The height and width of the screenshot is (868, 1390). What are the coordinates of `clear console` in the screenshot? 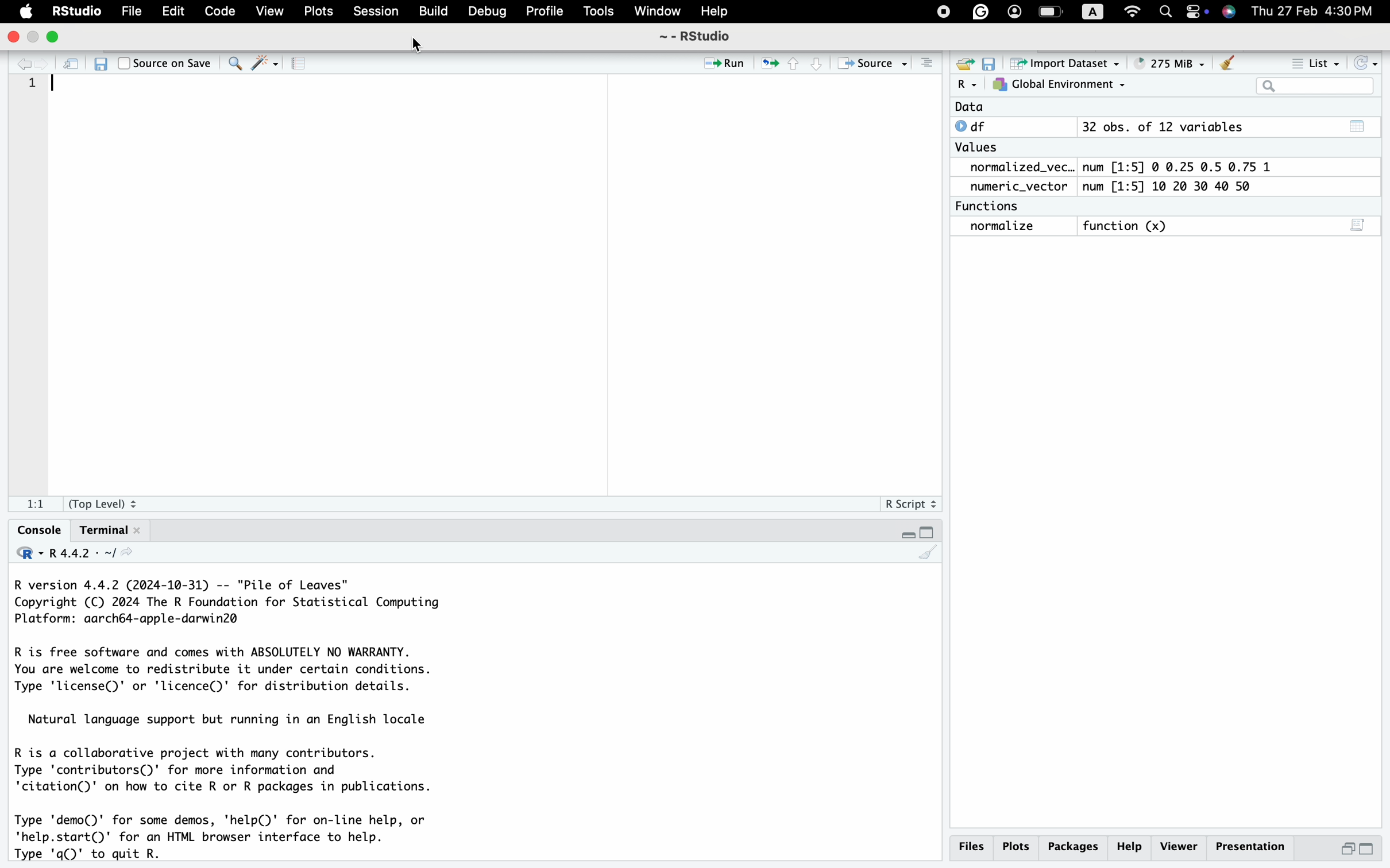 It's located at (924, 63).